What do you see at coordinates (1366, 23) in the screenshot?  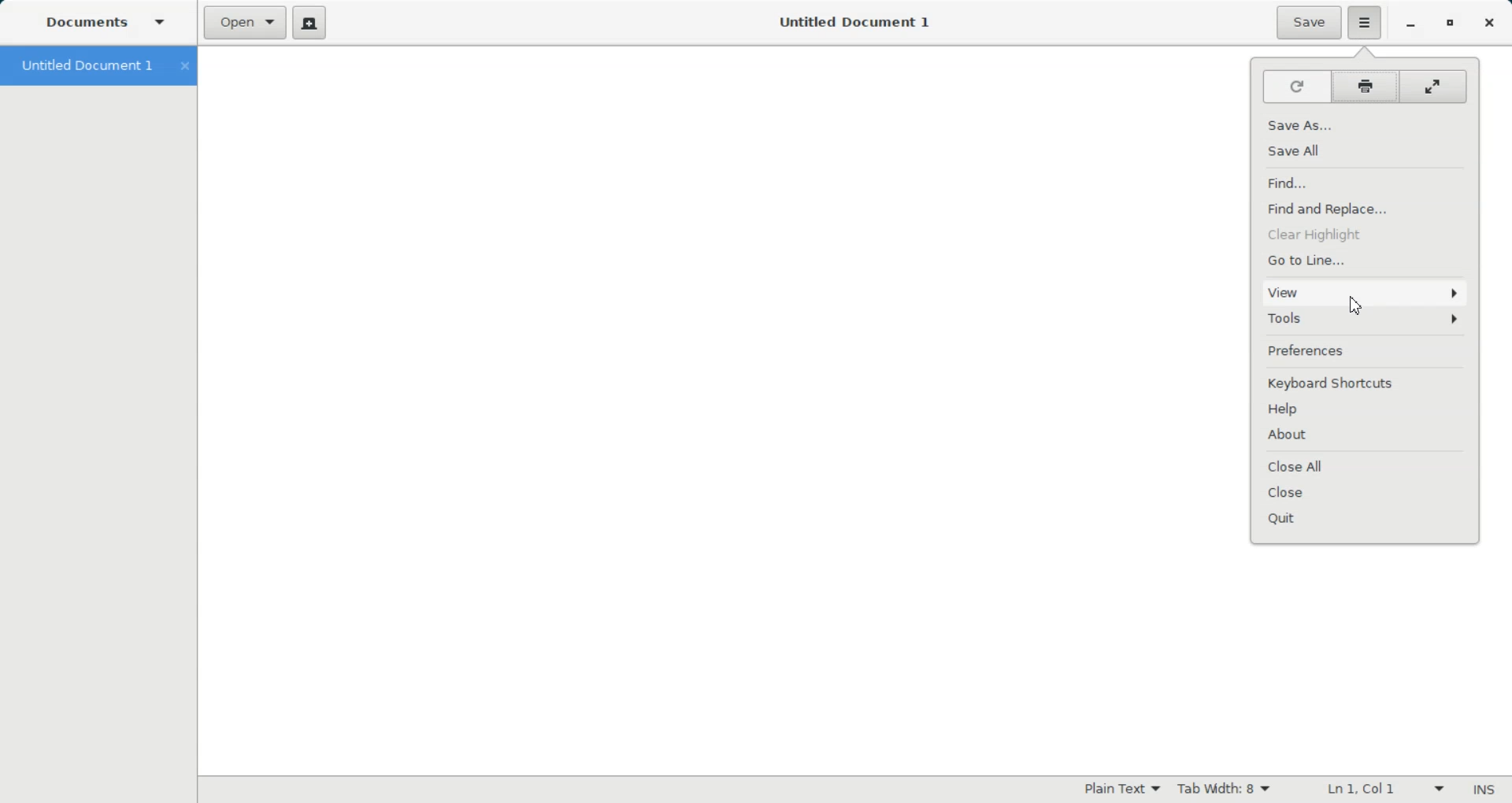 I see `Hamburger settings` at bounding box center [1366, 23].